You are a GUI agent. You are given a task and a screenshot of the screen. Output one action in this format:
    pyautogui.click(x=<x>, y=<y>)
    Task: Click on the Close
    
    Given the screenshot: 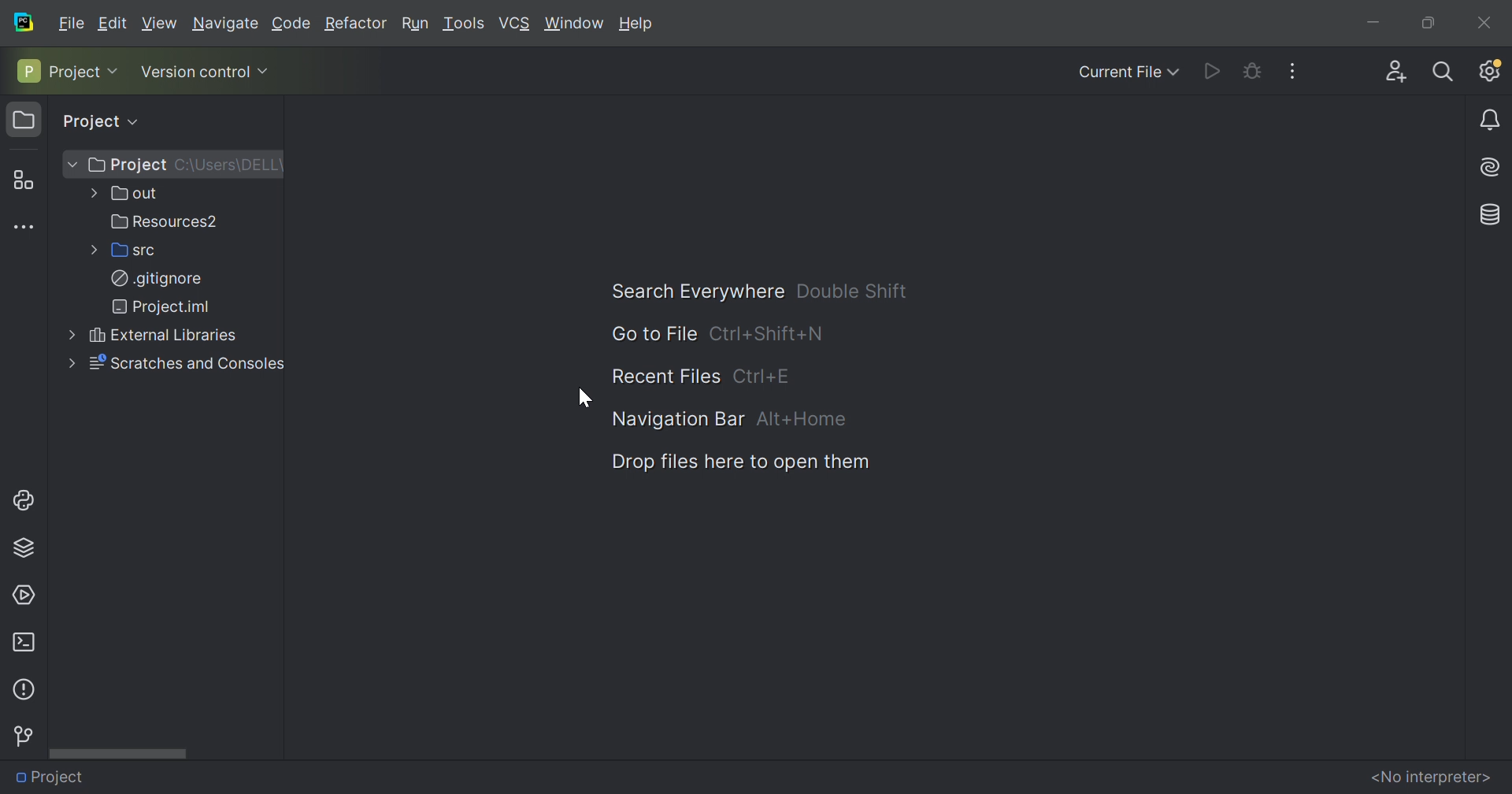 What is the action you would take?
    pyautogui.click(x=1484, y=19)
    